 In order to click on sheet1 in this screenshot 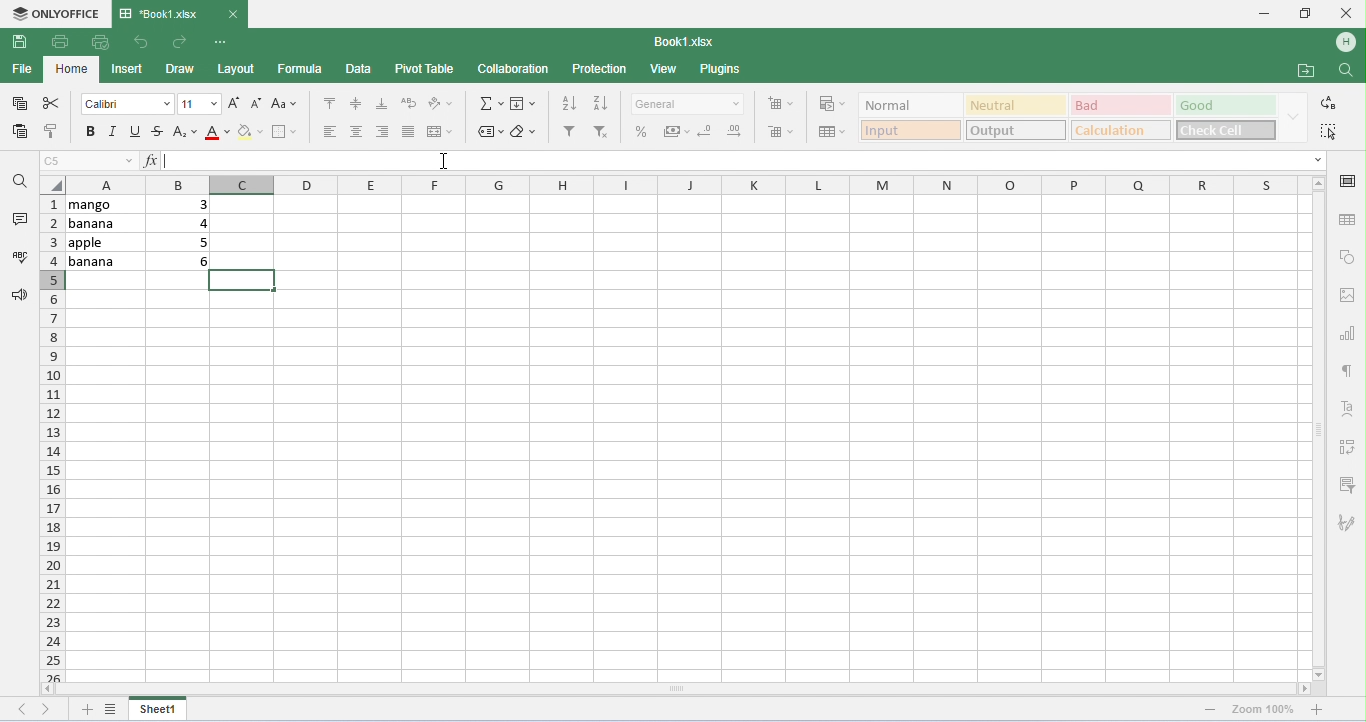, I will do `click(160, 708)`.